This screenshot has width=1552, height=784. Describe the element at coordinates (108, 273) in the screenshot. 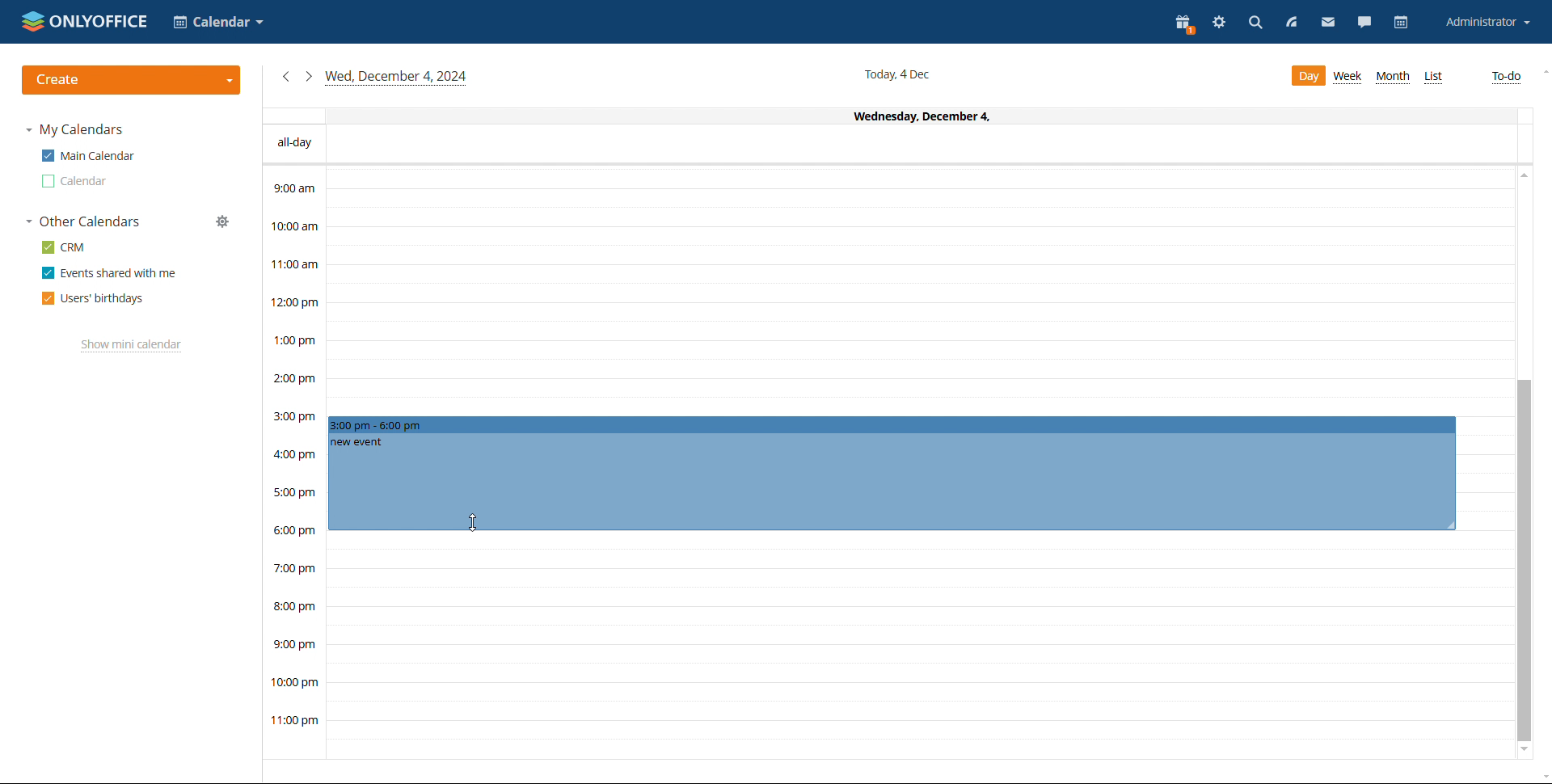

I see `events shared with me` at that location.